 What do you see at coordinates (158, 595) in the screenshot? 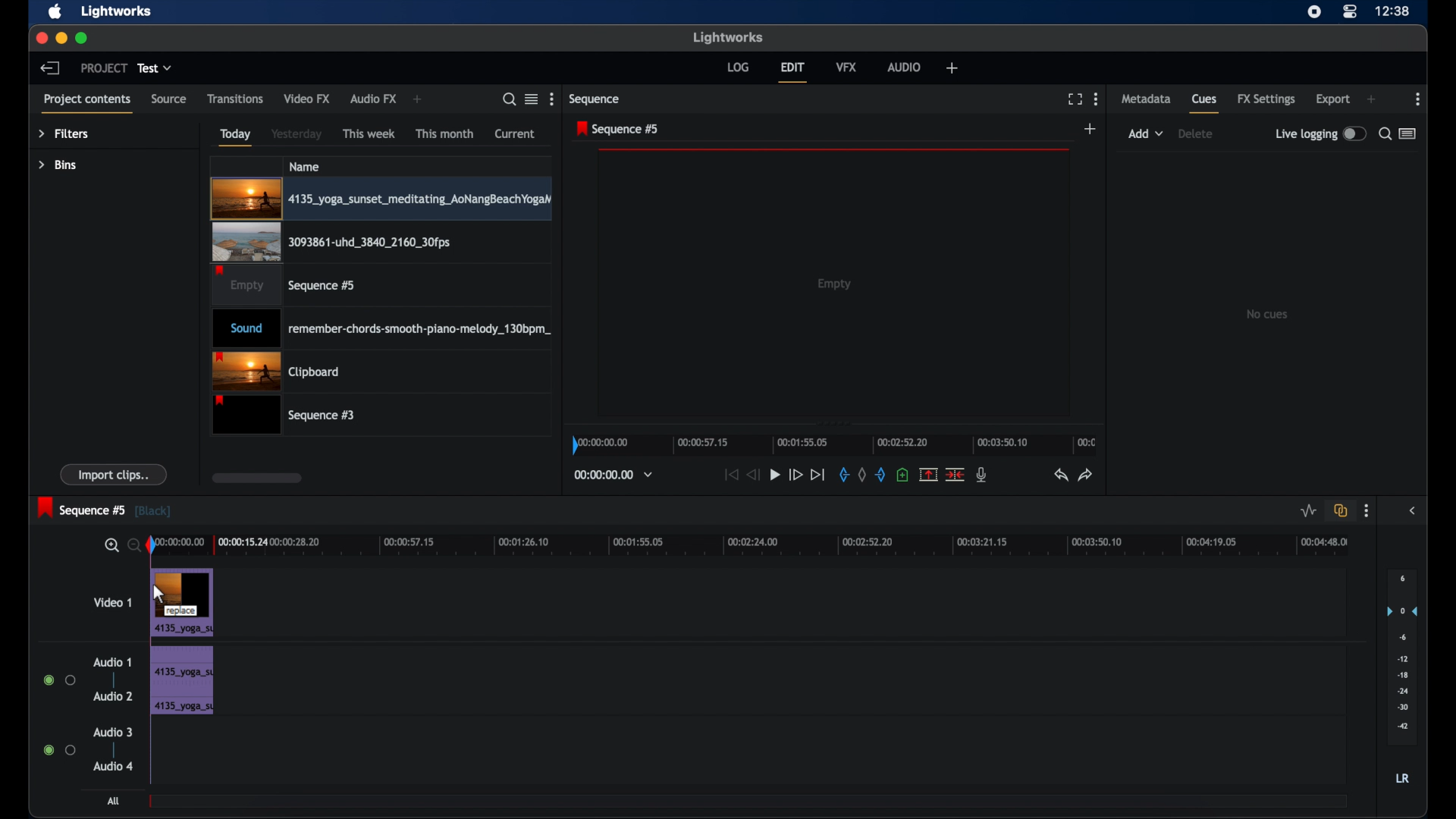
I see `cursor` at bounding box center [158, 595].